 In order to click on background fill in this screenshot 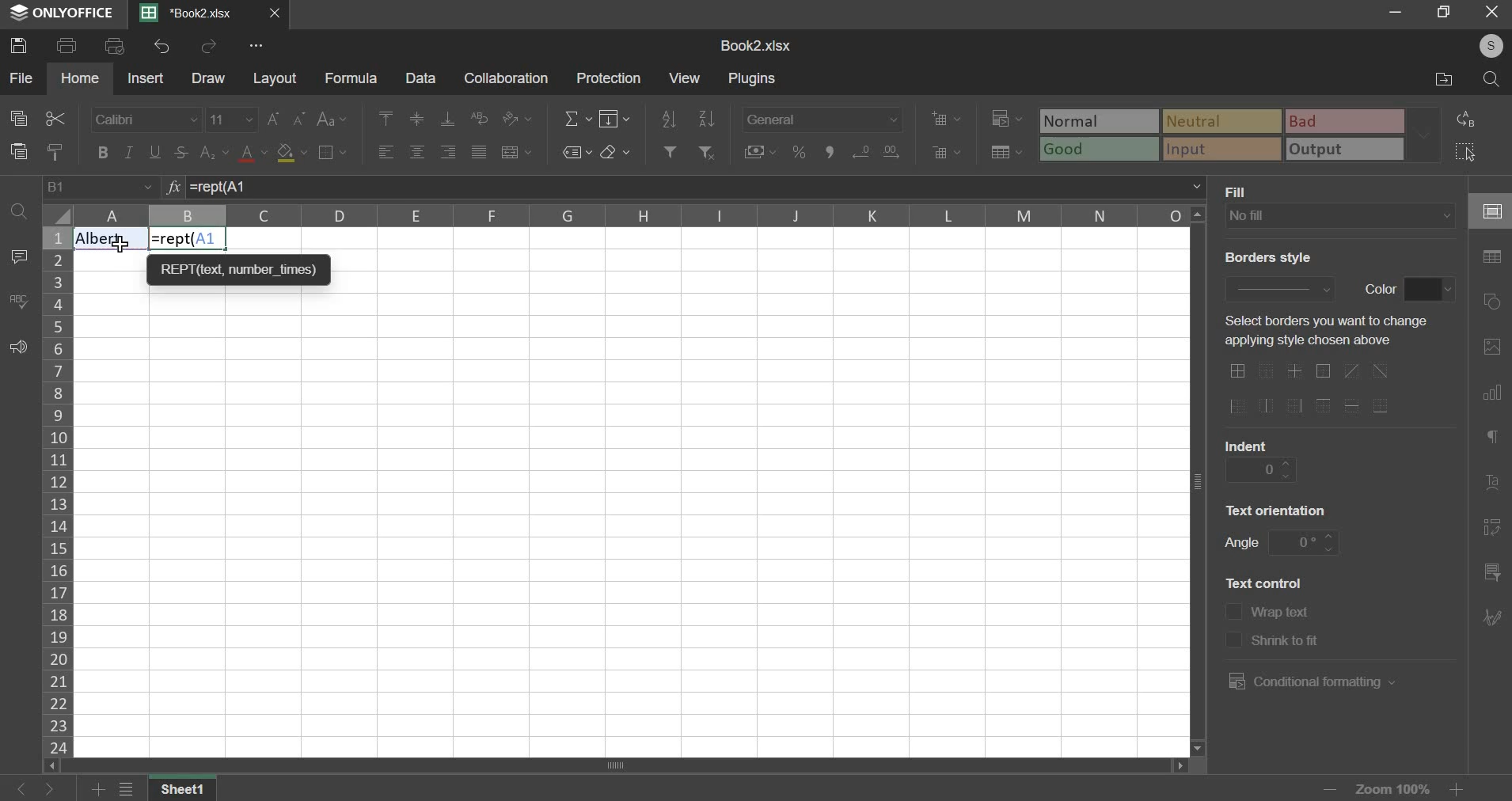, I will do `click(1341, 215)`.